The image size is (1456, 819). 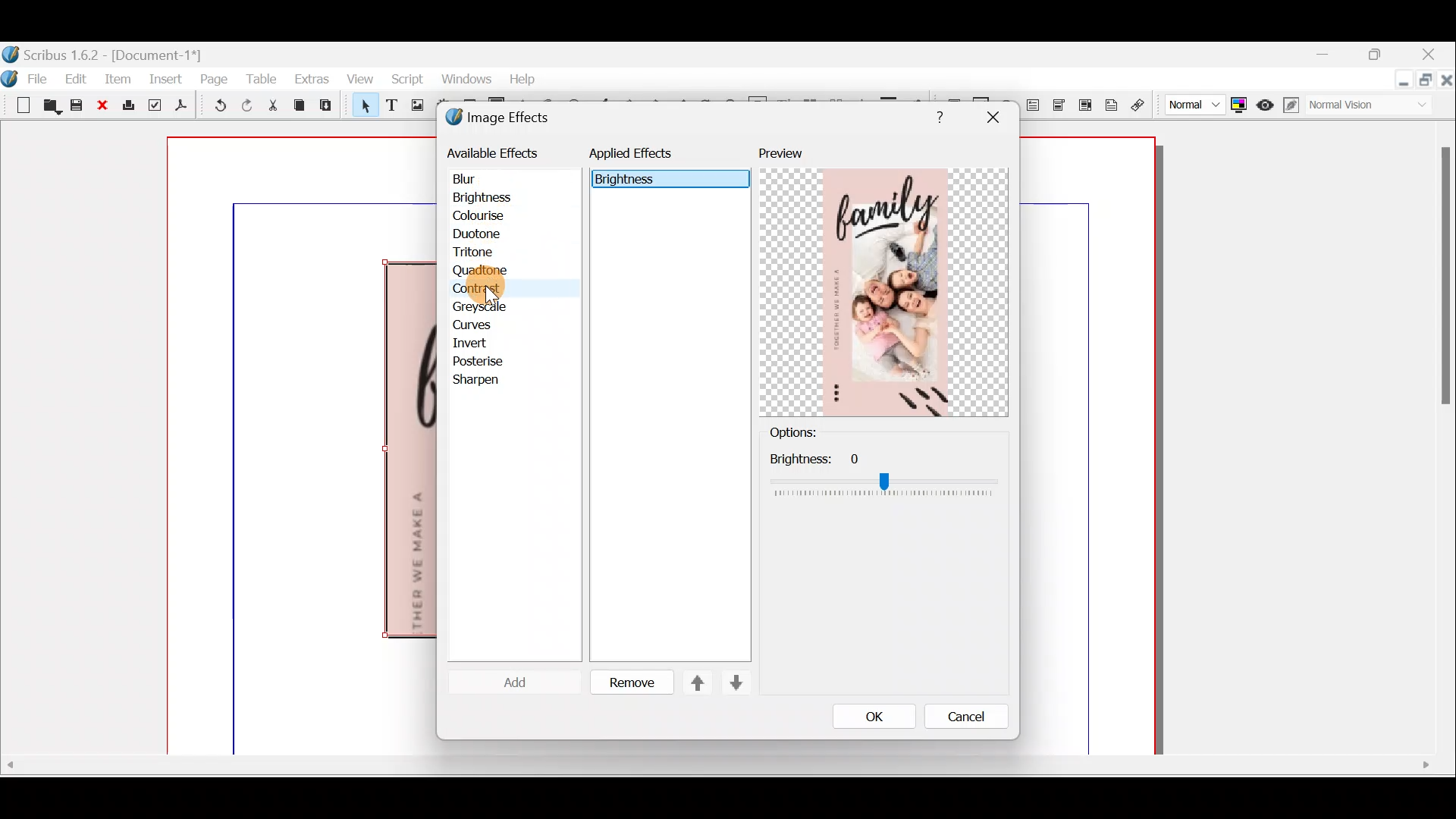 I want to click on Preview, so click(x=883, y=281).